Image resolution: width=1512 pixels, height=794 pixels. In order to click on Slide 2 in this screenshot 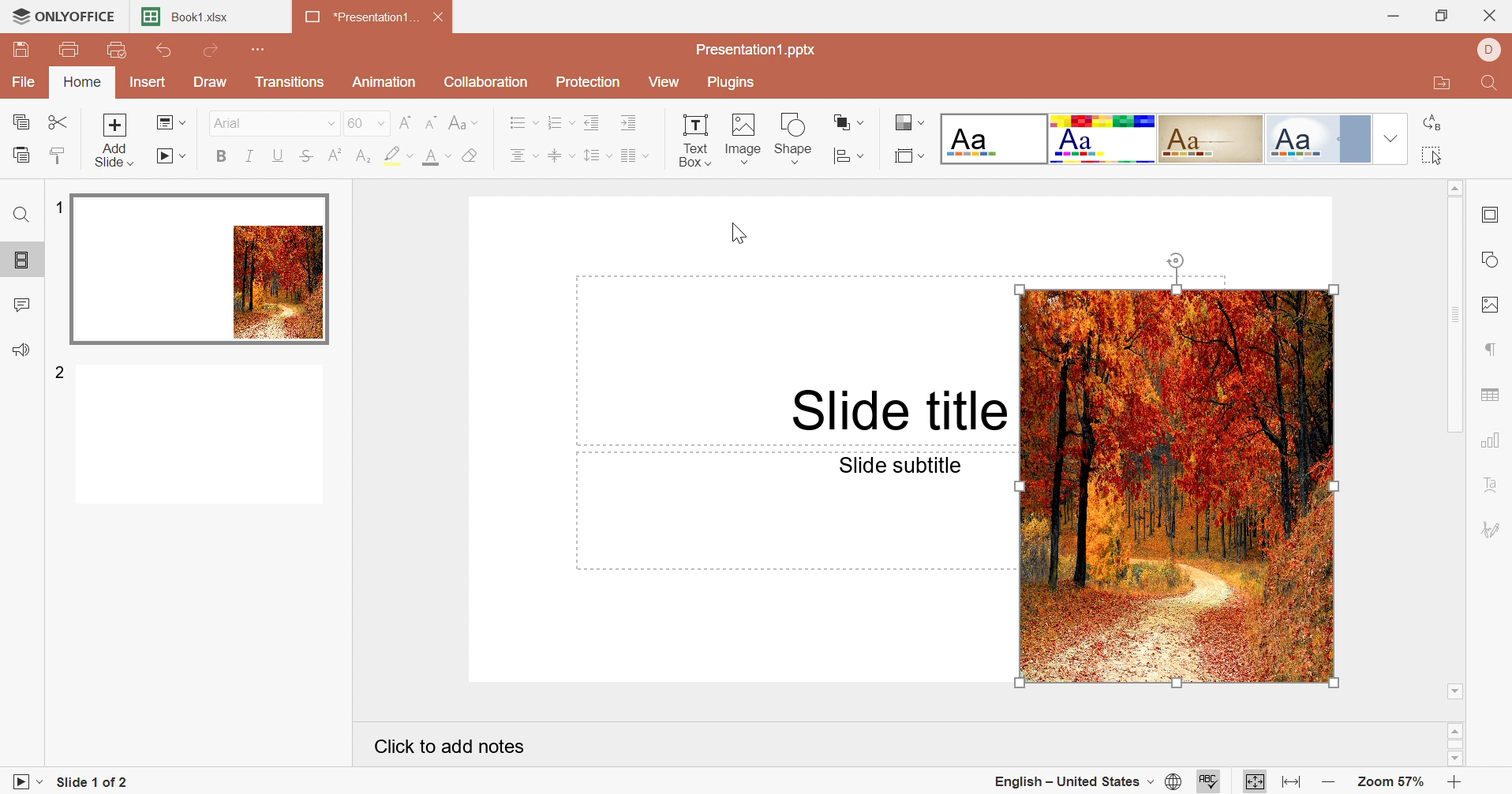, I will do `click(201, 436)`.